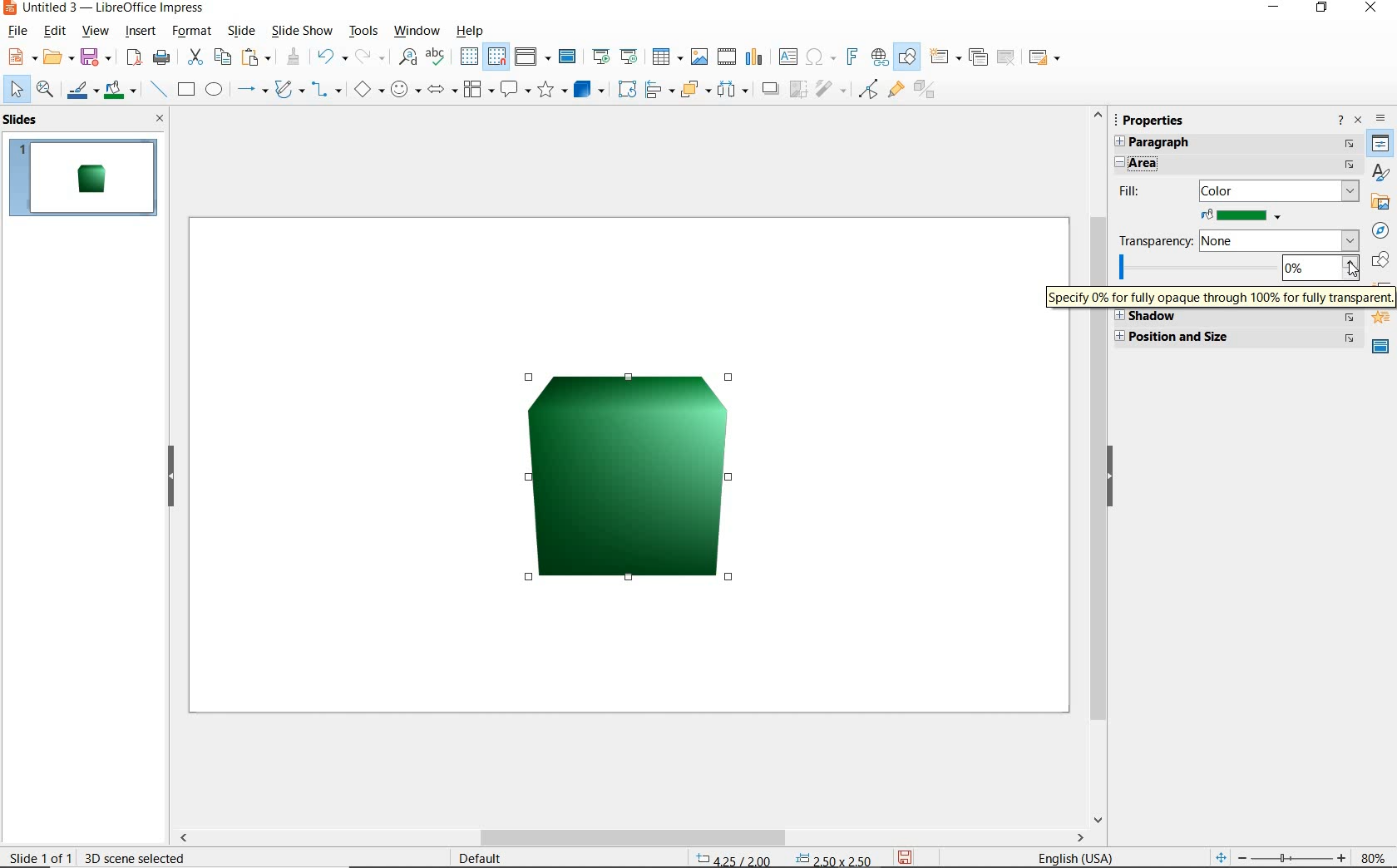  Describe the element at coordinates (81, 91) in the screenshot. I see `line color` at that location.